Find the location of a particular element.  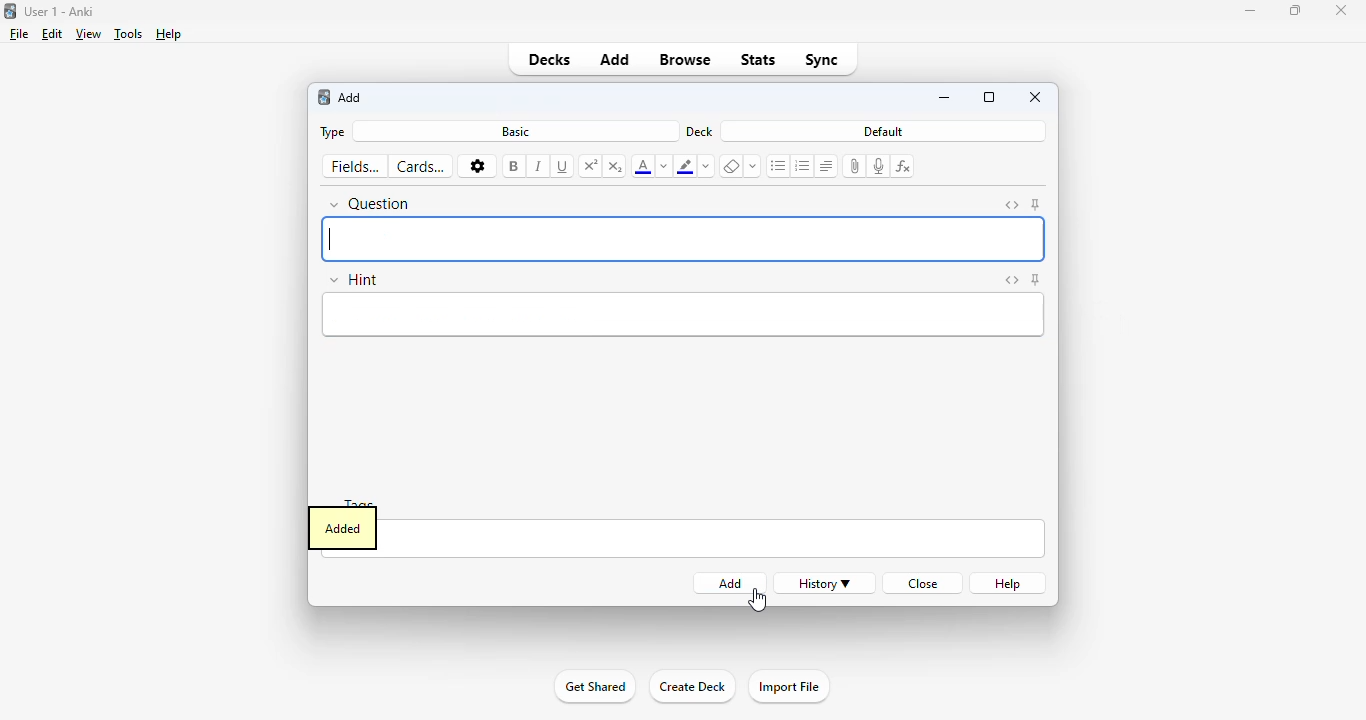

help is located at coordinates (170, 34).